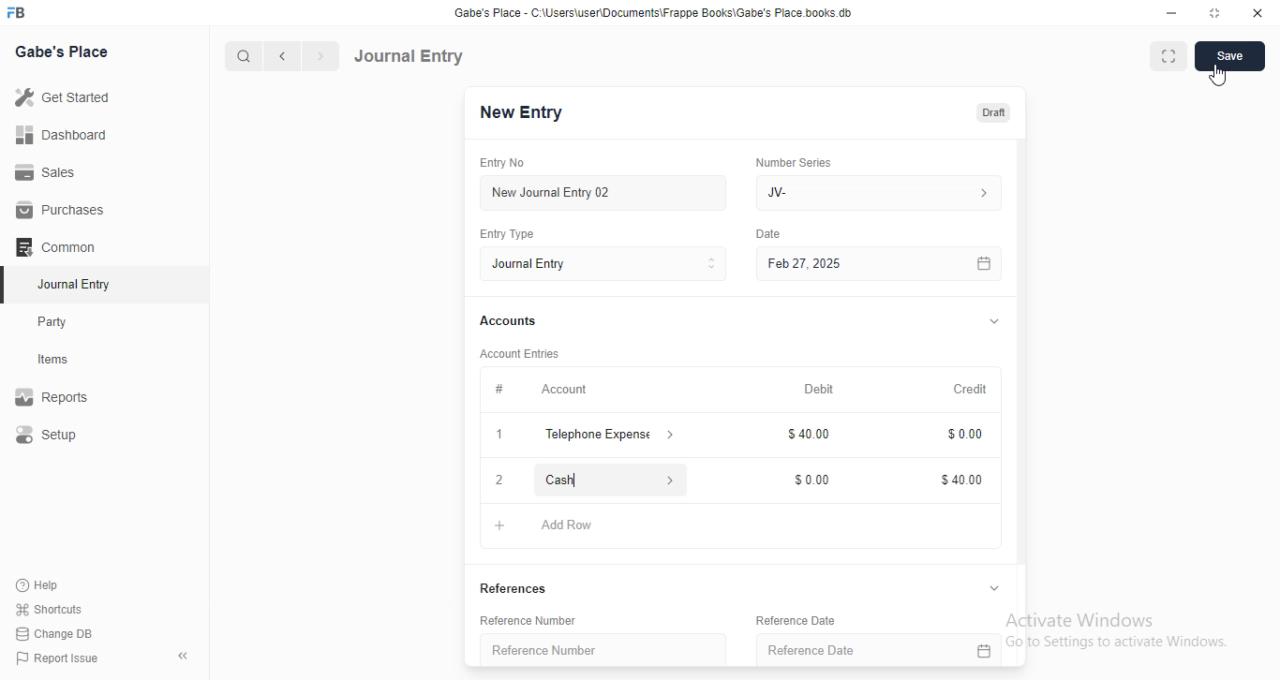 Image resolution: width=1280 pixels, height=680 pixels. I want to click on cursor, so click(1219, 76).